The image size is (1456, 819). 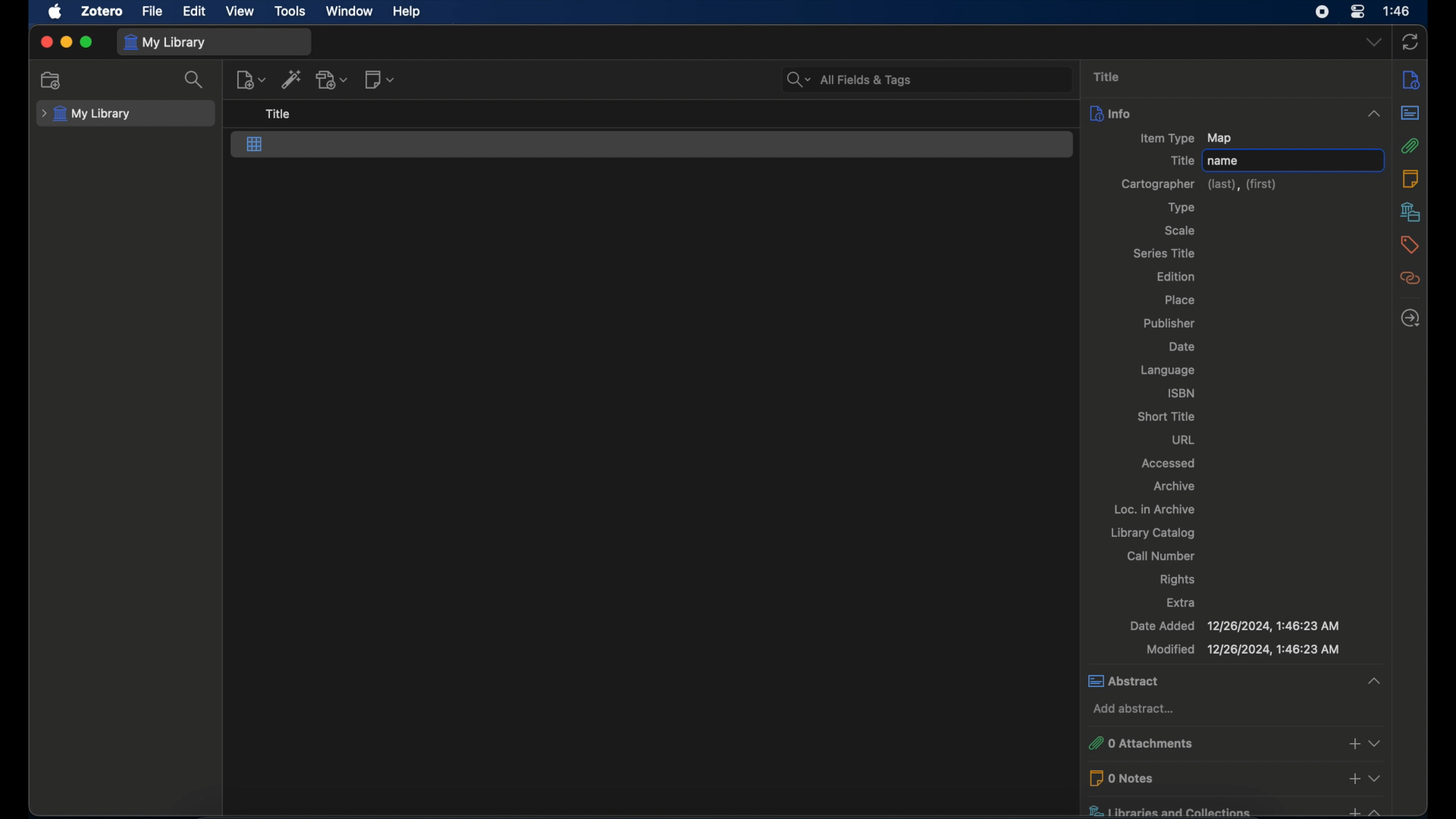 What do you see at coordinates (1410, 178) in the screenshot?
I see `notes` at bounding box center [1410, 178].